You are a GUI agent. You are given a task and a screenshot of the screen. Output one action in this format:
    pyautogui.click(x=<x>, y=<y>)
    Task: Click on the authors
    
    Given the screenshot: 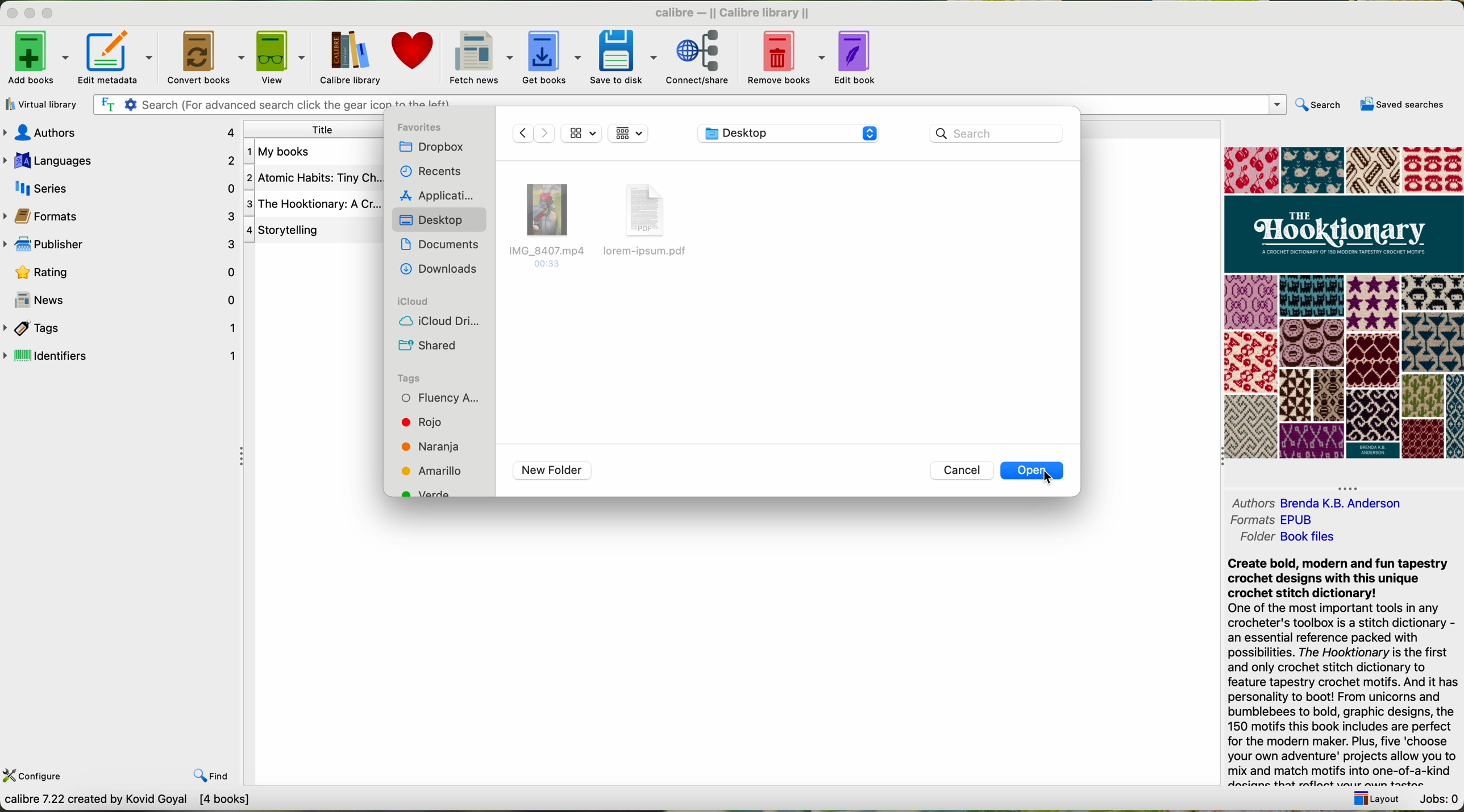 What is the action you would take?
    pyautogui.click(x=120, y=134)
    